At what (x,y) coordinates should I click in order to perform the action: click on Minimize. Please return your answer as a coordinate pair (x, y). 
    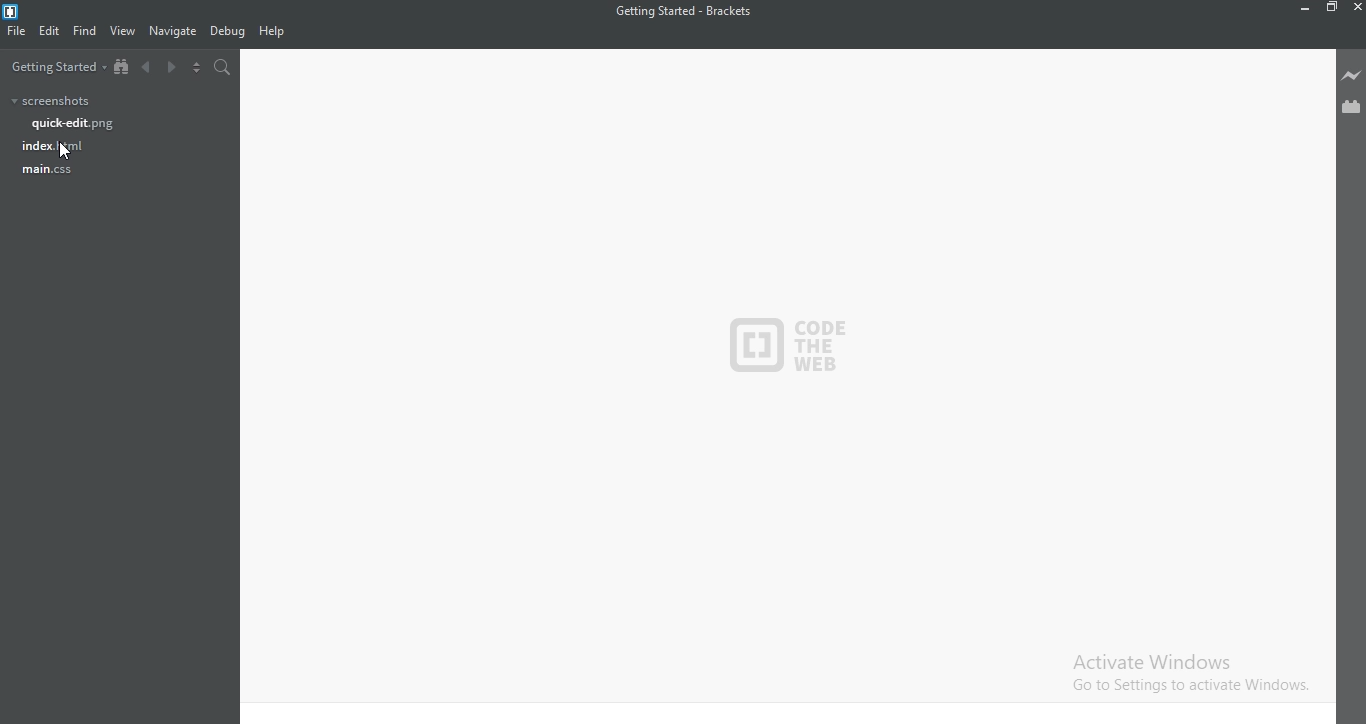
    Looking at the image, I should click on (1304, 8).